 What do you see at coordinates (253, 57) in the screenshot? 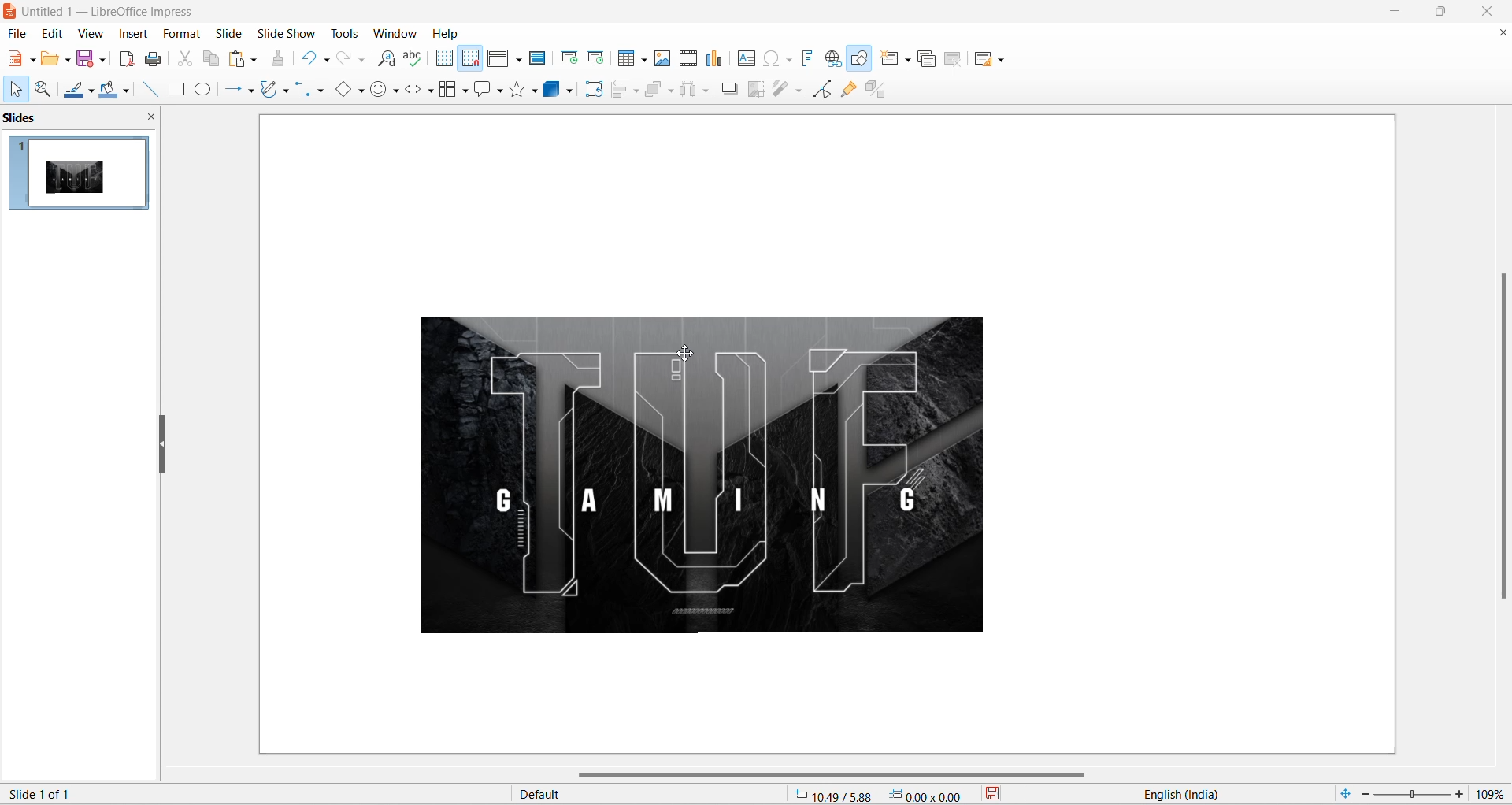
I see `paste options` at bounding box center [253, 57].